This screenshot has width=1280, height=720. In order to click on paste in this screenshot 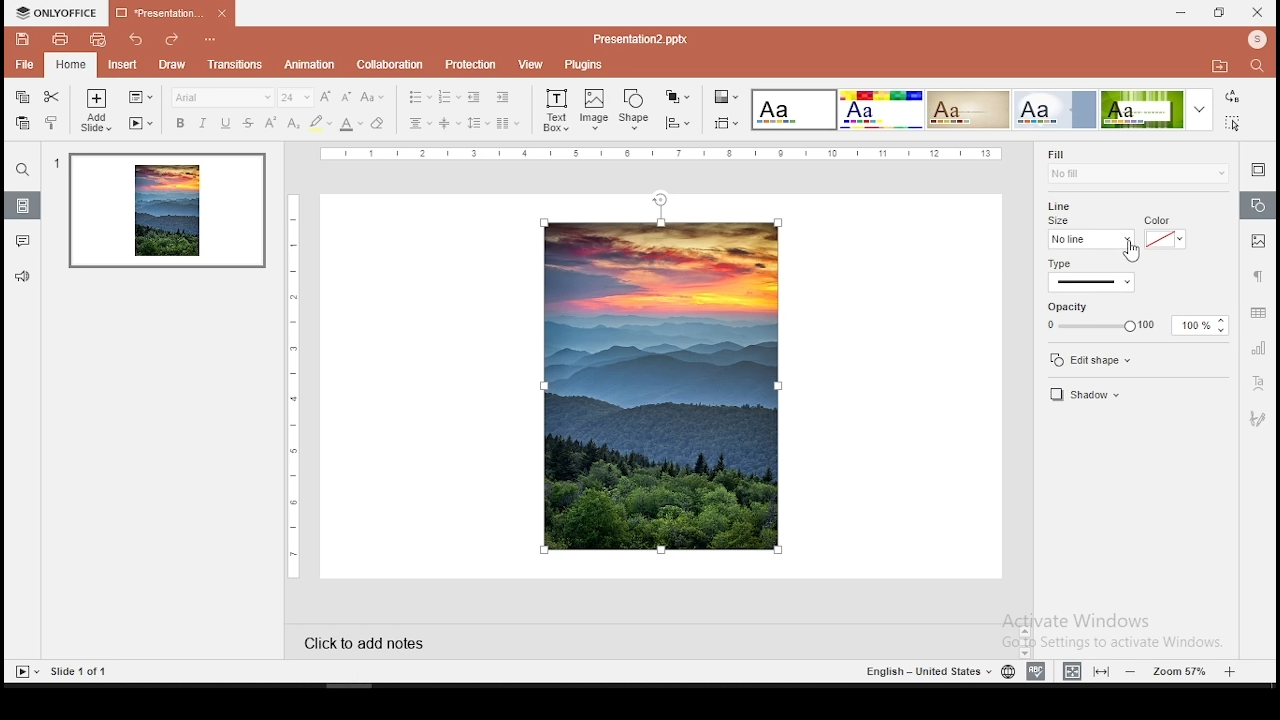, I will do `click(23, 123)`.